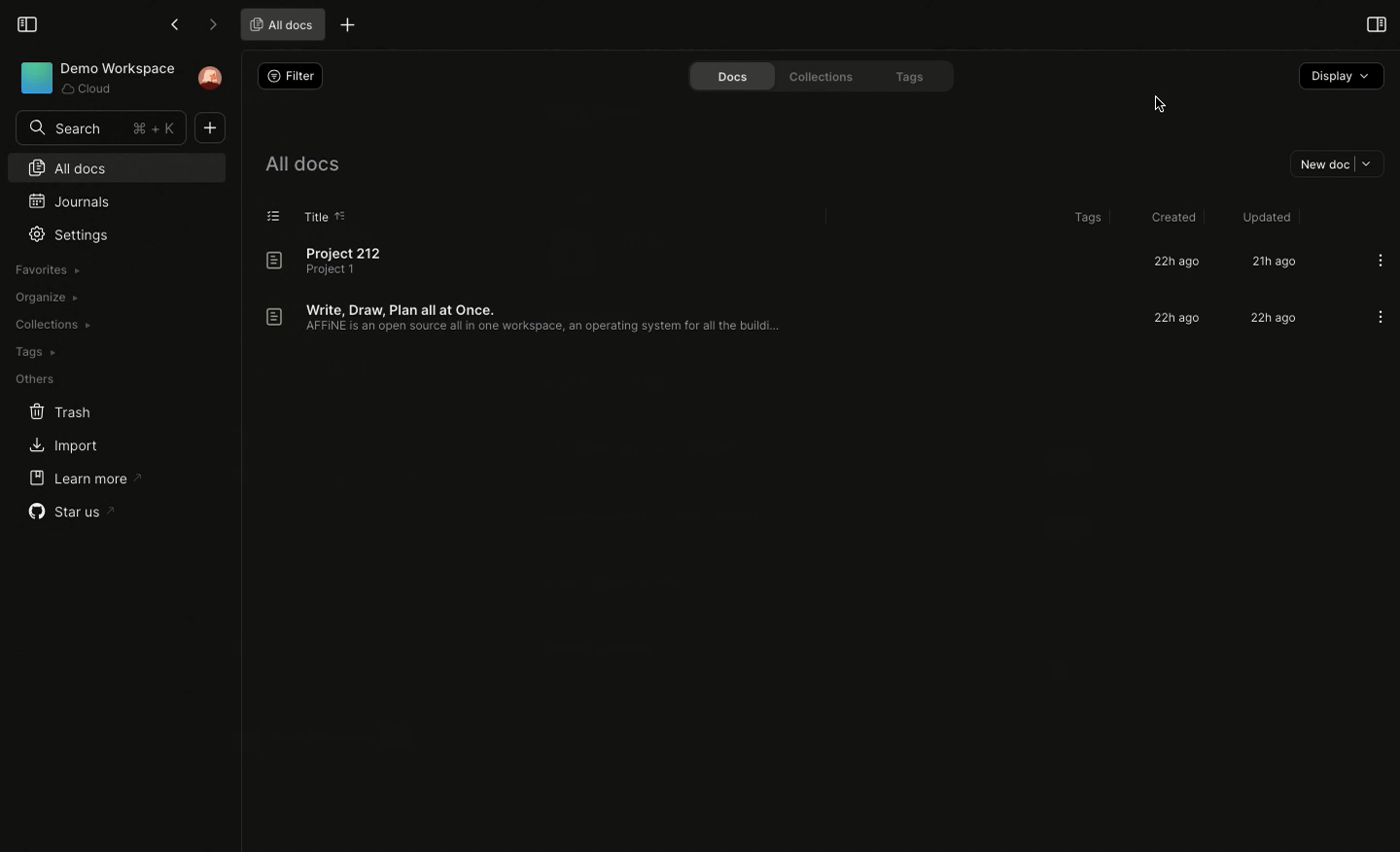  Describe the element at coordinates (1340, 77) in the screenshot. I see `Display` at that location.